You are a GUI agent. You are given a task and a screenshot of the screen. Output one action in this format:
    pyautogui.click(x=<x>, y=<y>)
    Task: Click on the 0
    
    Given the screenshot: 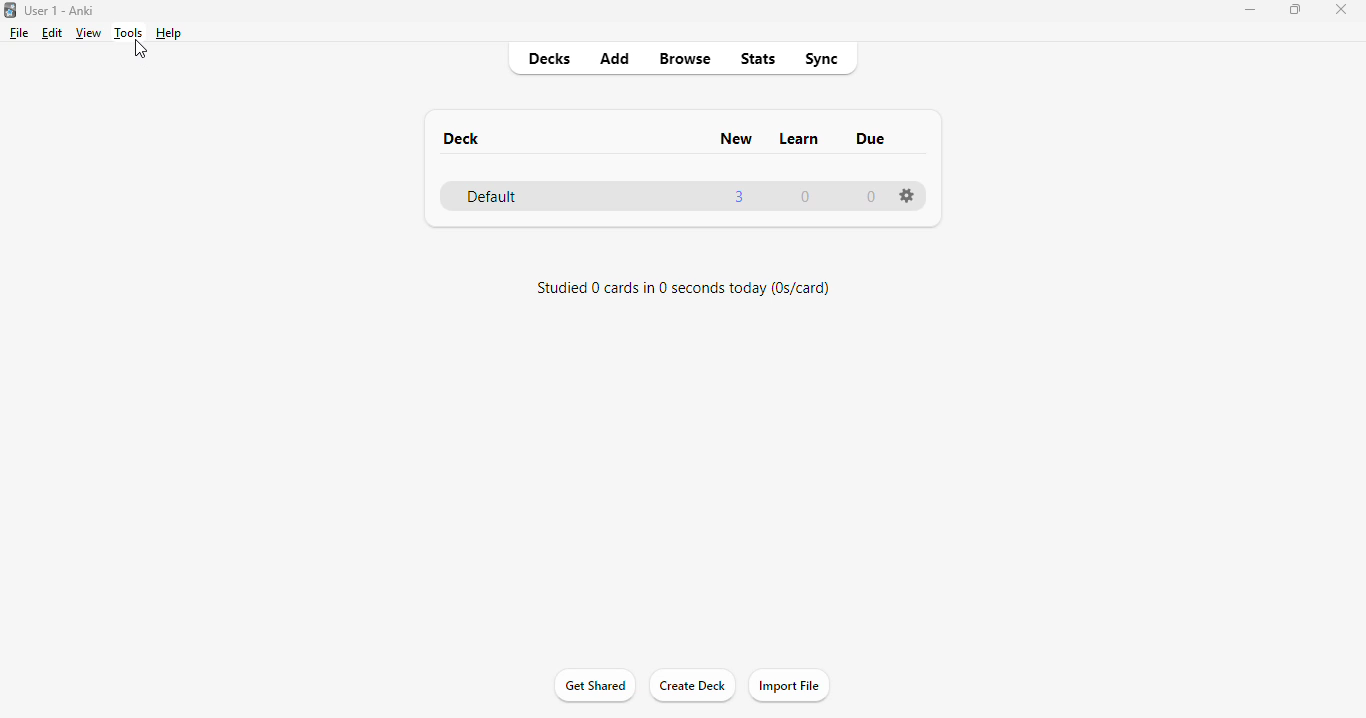 What is the action you would take?
    pyautogui.click(x=806, y=198)
    